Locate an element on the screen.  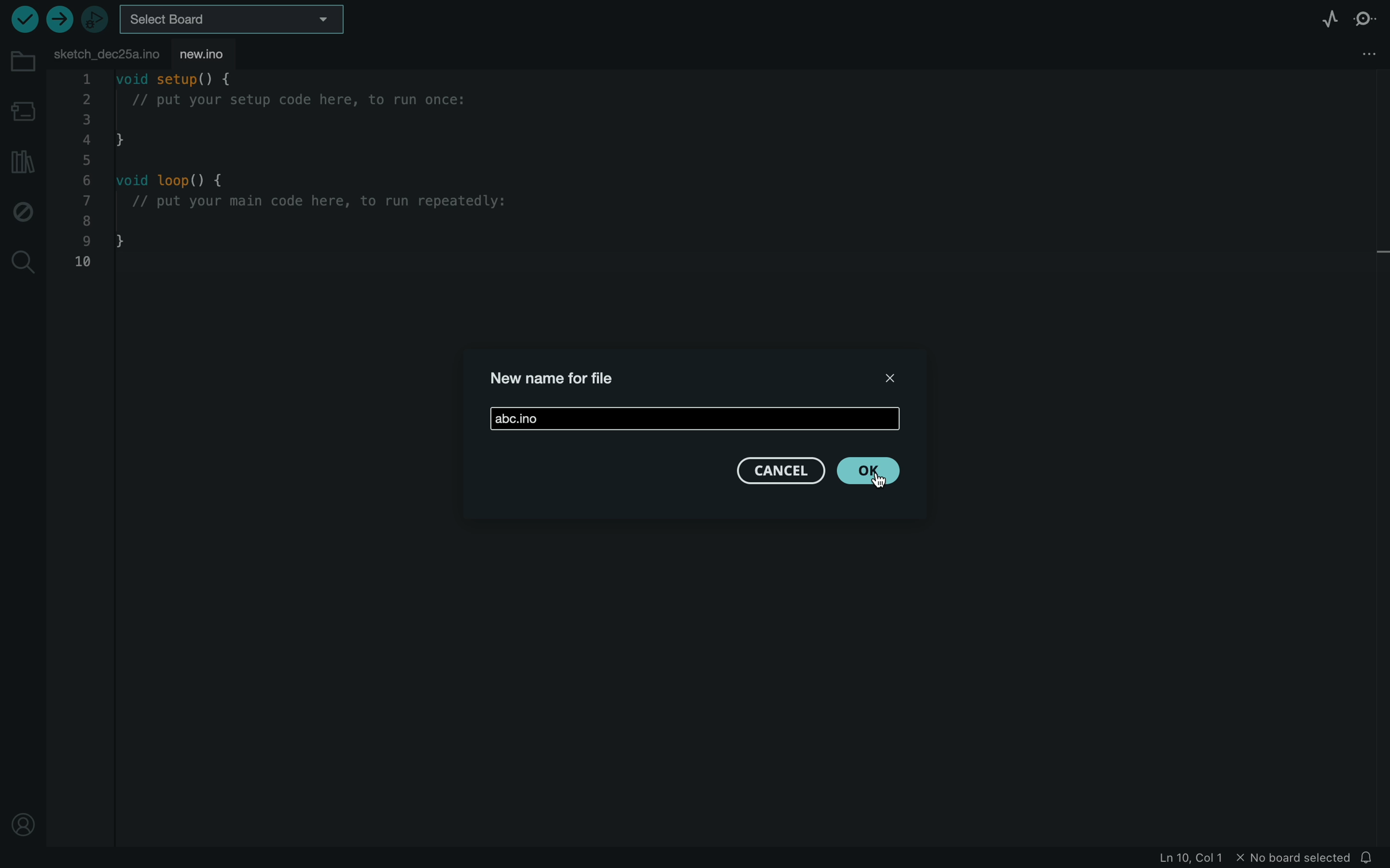
file information is located at coordinates (1256, 859).